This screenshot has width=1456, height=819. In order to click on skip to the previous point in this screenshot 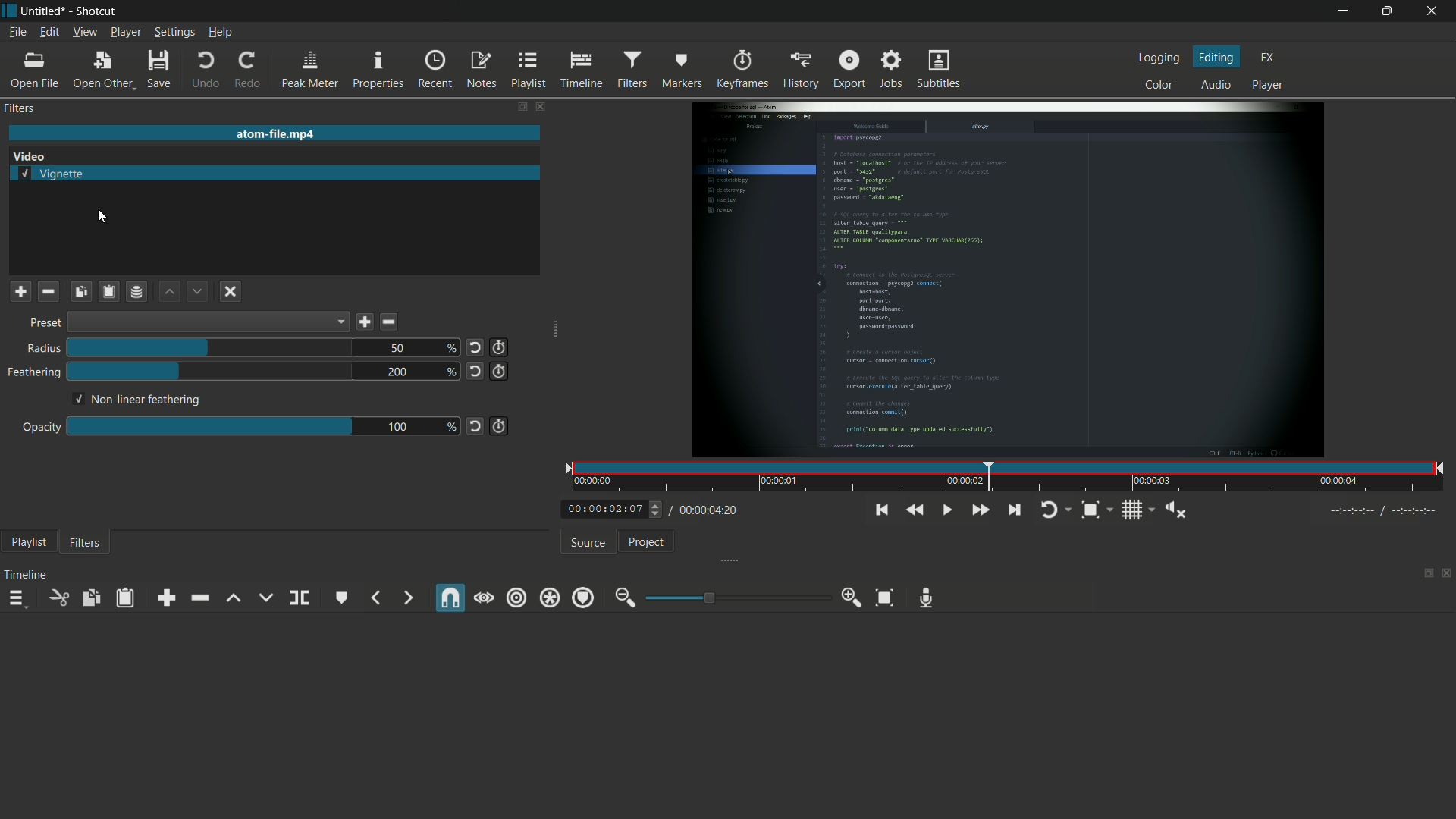, I will do `click(880, 510)`.